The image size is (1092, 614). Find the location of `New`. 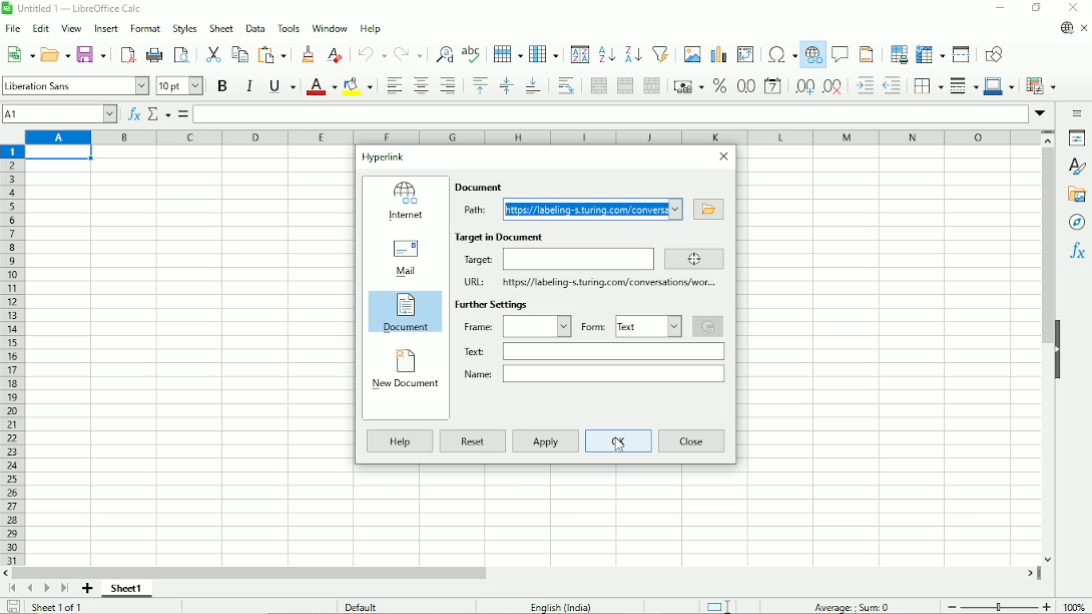

New is located at coordinates (18, 54).